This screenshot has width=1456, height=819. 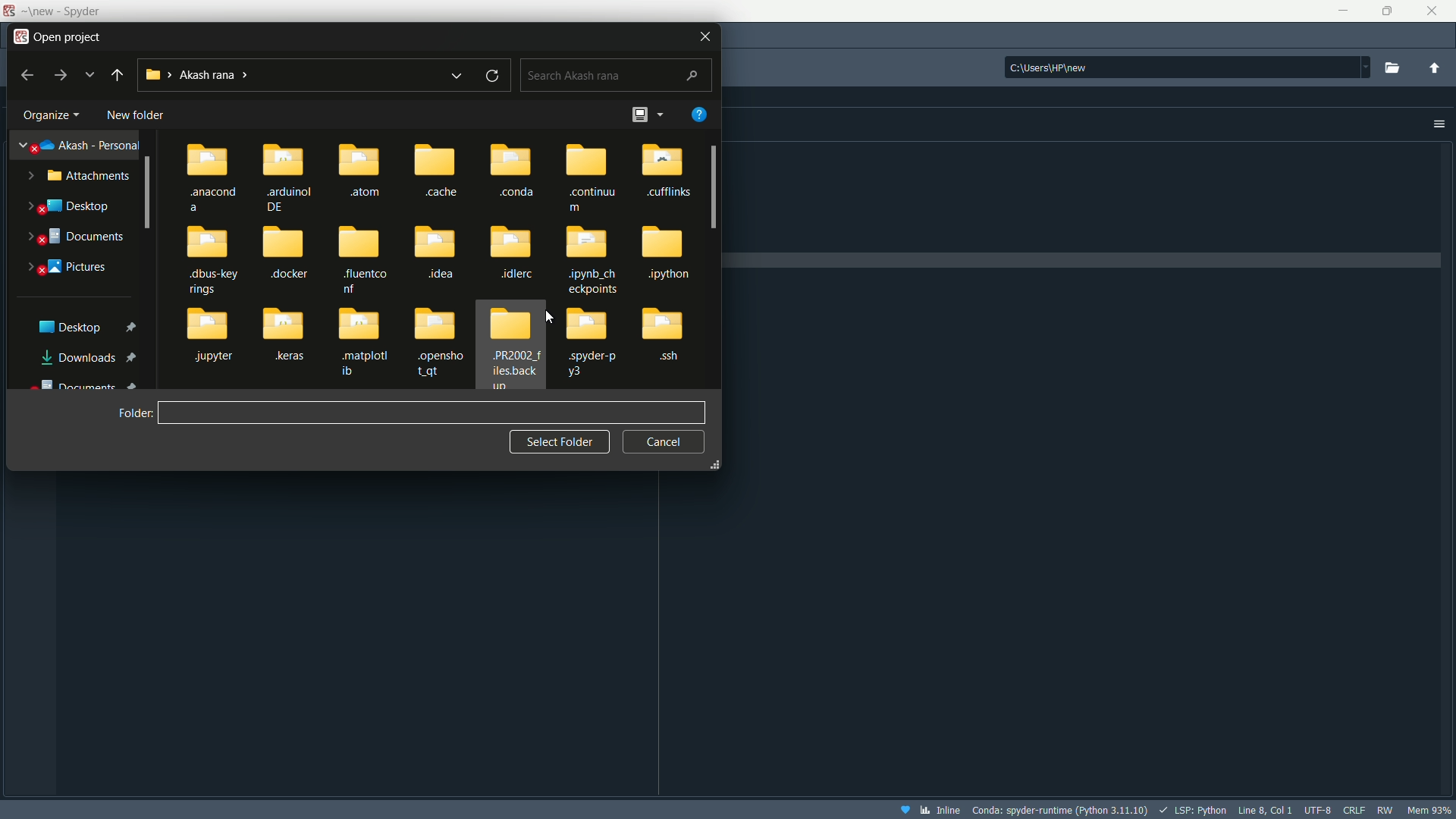 I want to click on scroll bar, so click(x=715, y=190).